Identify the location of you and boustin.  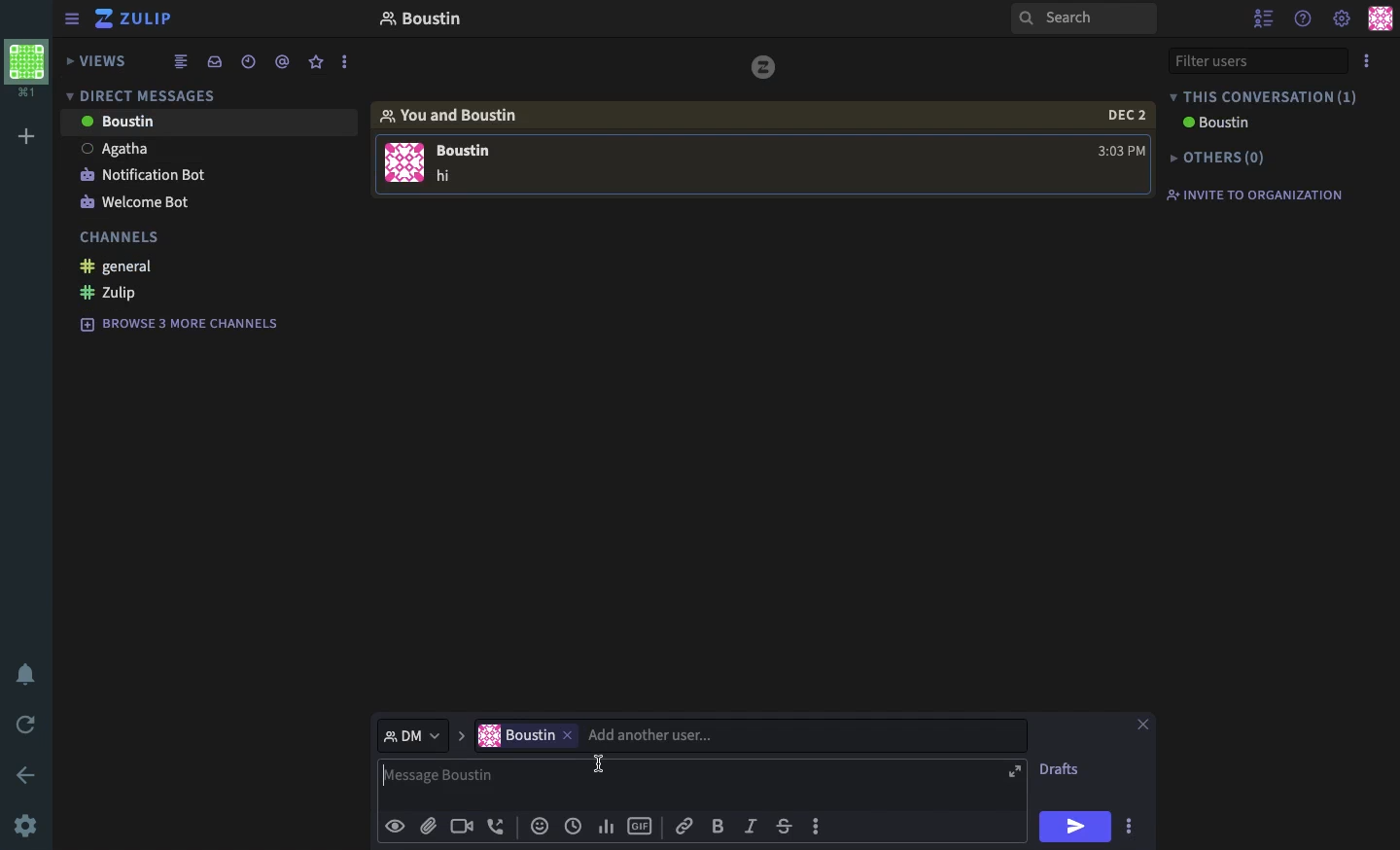
(460, 114).